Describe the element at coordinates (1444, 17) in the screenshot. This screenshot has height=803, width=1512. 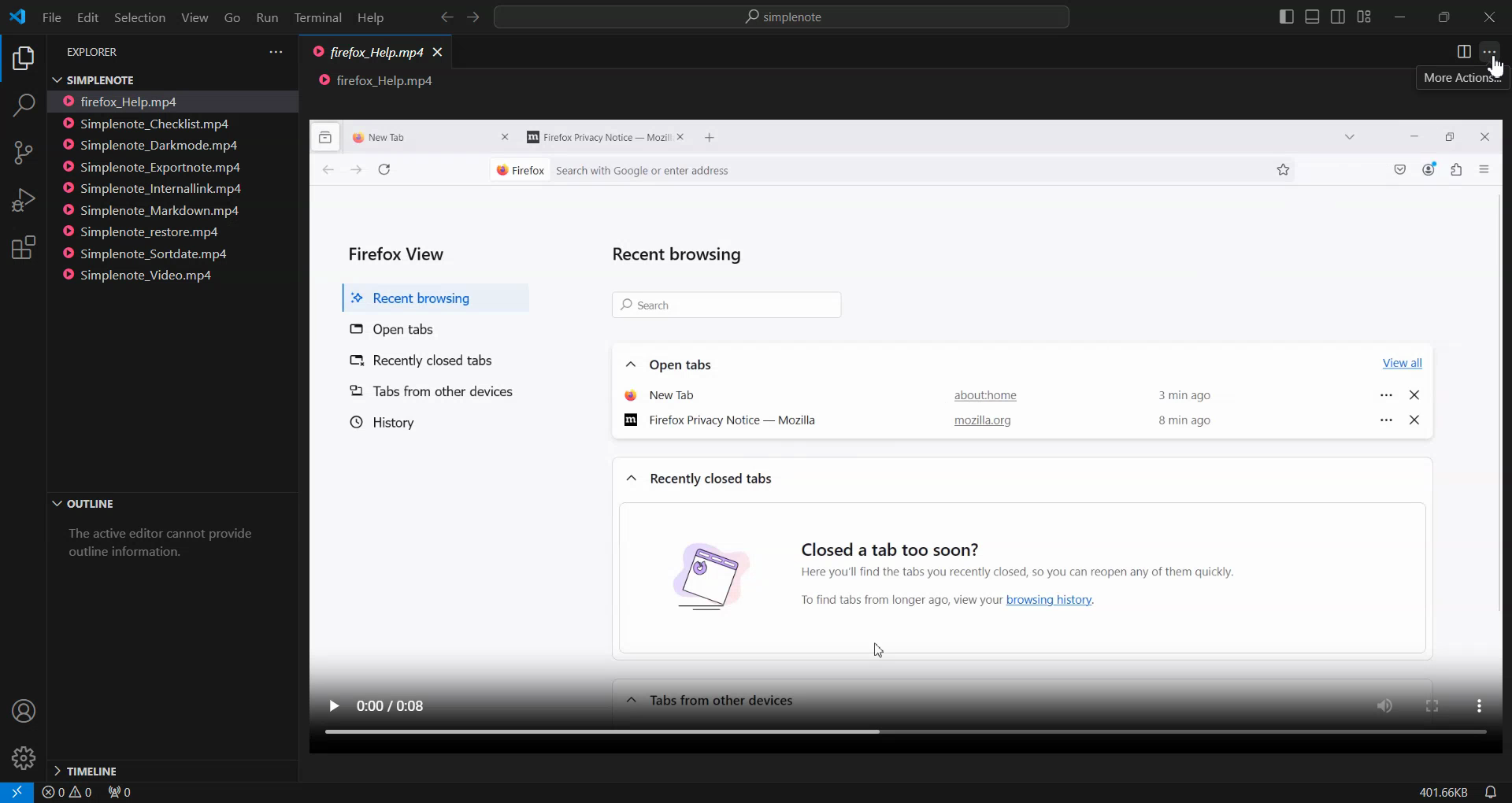
I see `Maximize` at that location.